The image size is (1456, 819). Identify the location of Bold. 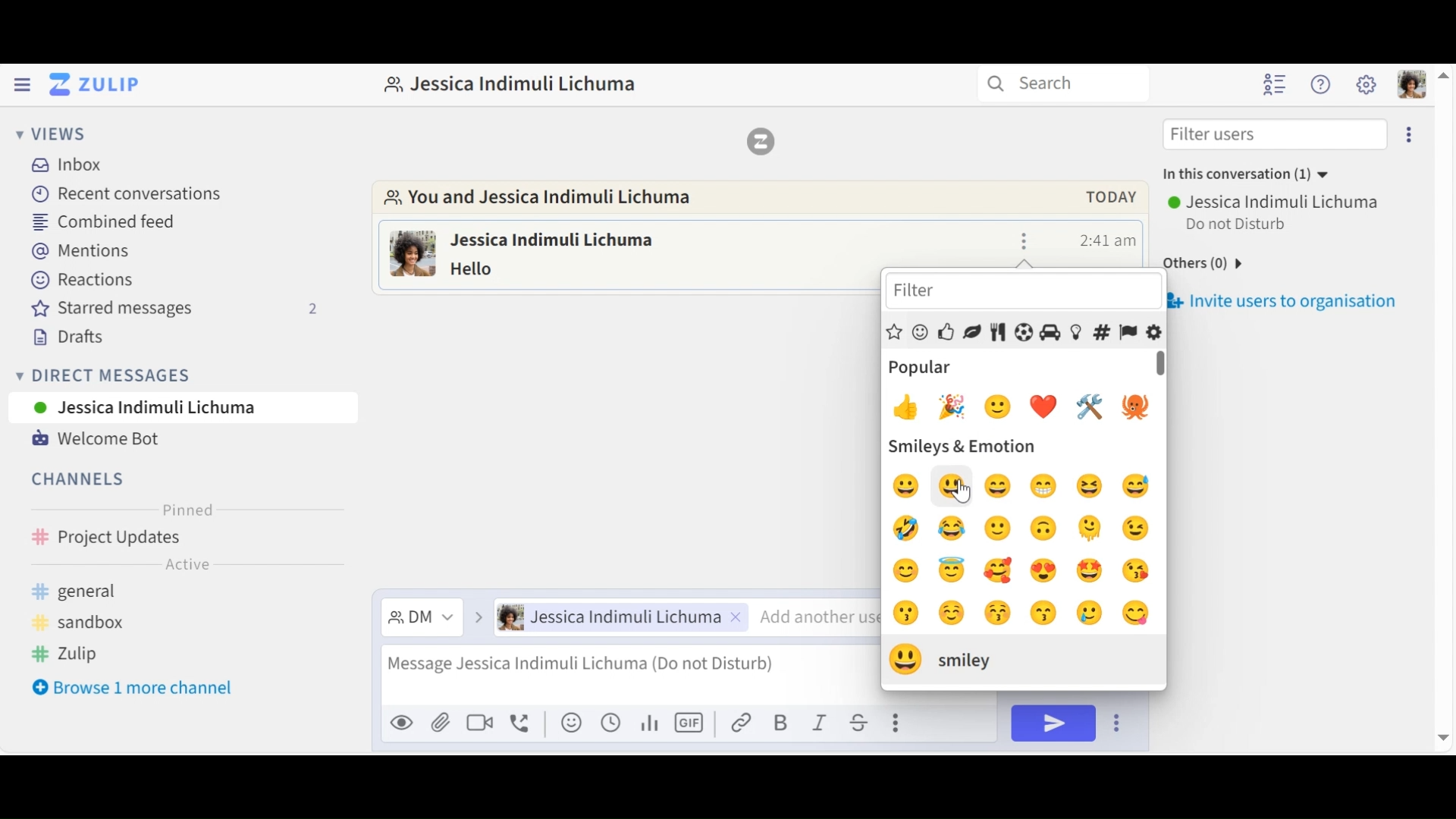
(781, 722).